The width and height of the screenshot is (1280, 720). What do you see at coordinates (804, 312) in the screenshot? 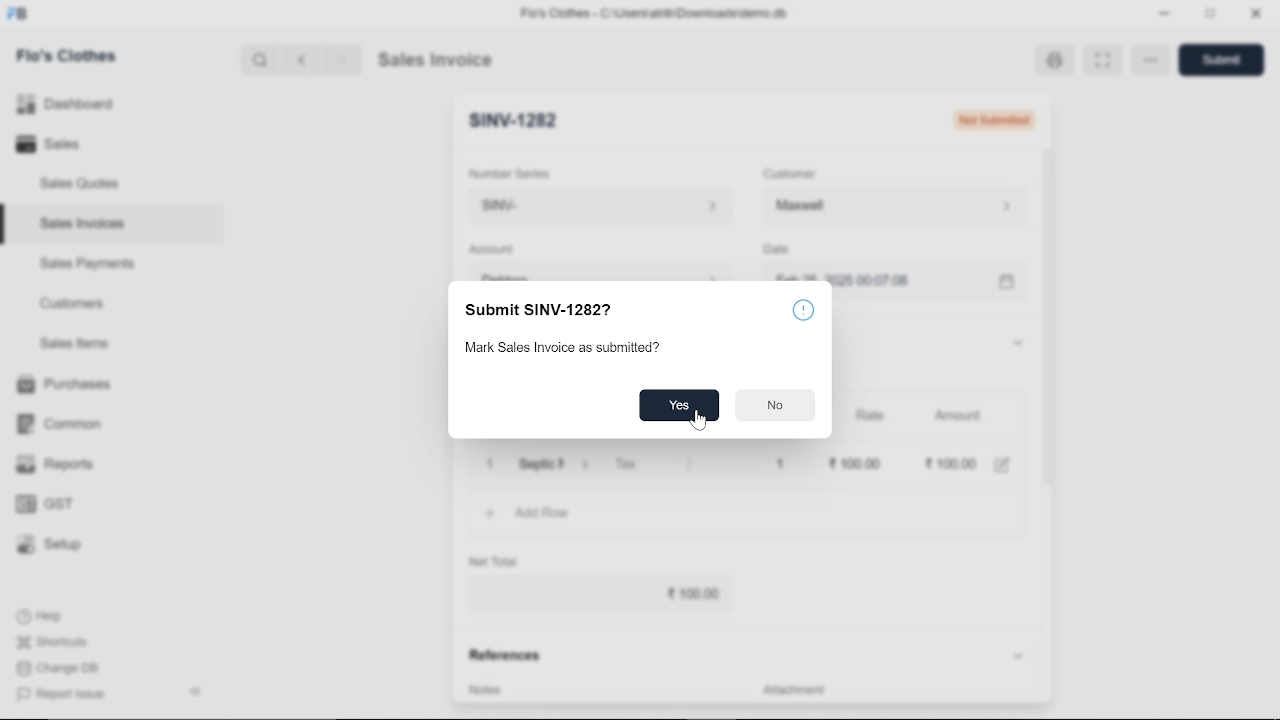
I see `info` at bounding box center [804, 312].